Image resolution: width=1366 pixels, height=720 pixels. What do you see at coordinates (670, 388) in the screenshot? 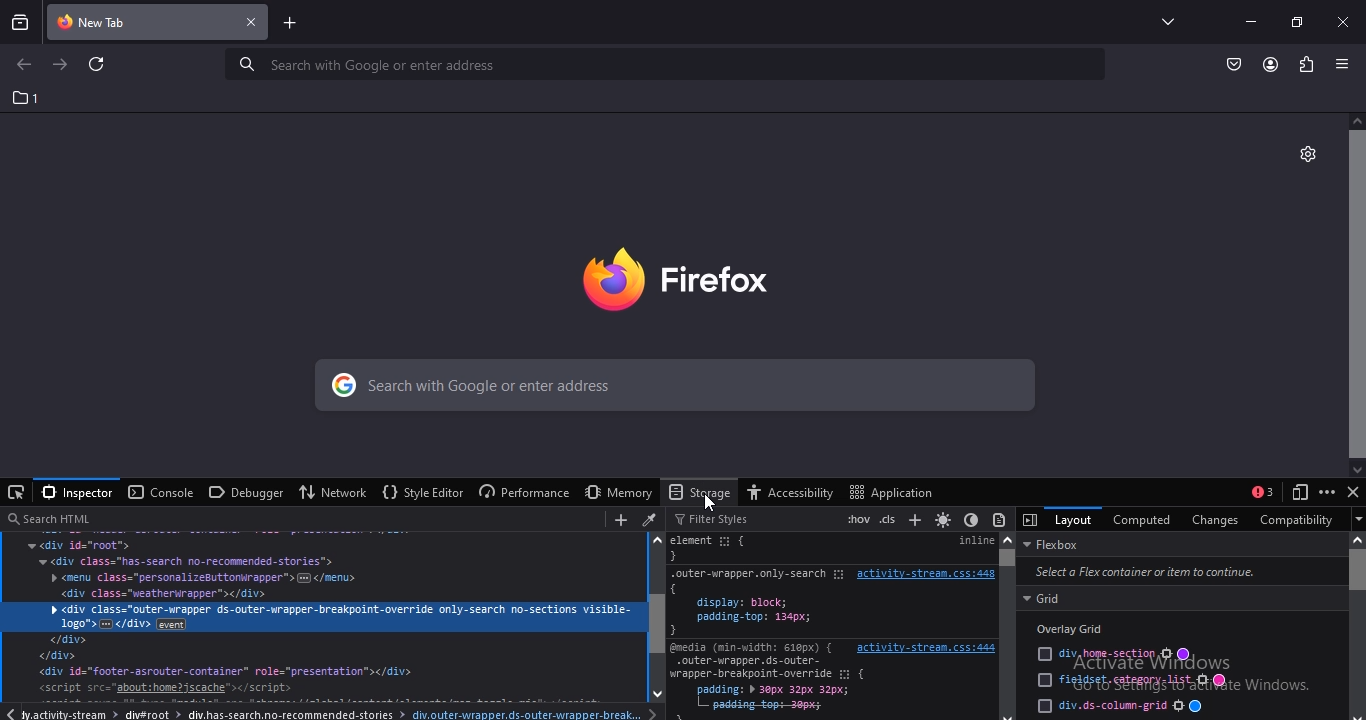
I see `search` at bounding box center [670, 388].